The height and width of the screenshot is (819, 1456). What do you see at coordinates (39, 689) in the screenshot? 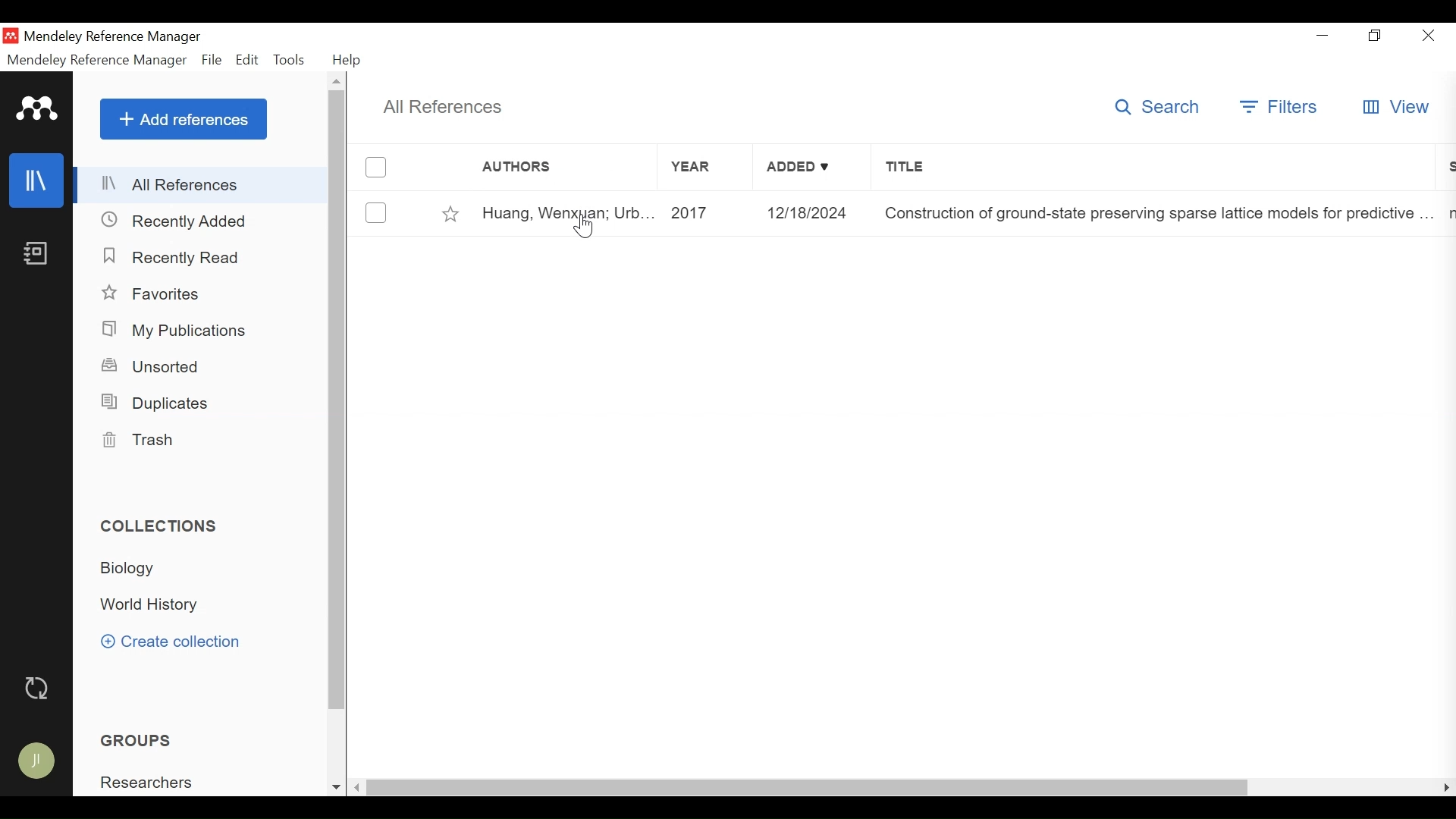
I see `Sync` at bounding box center [39, 689].